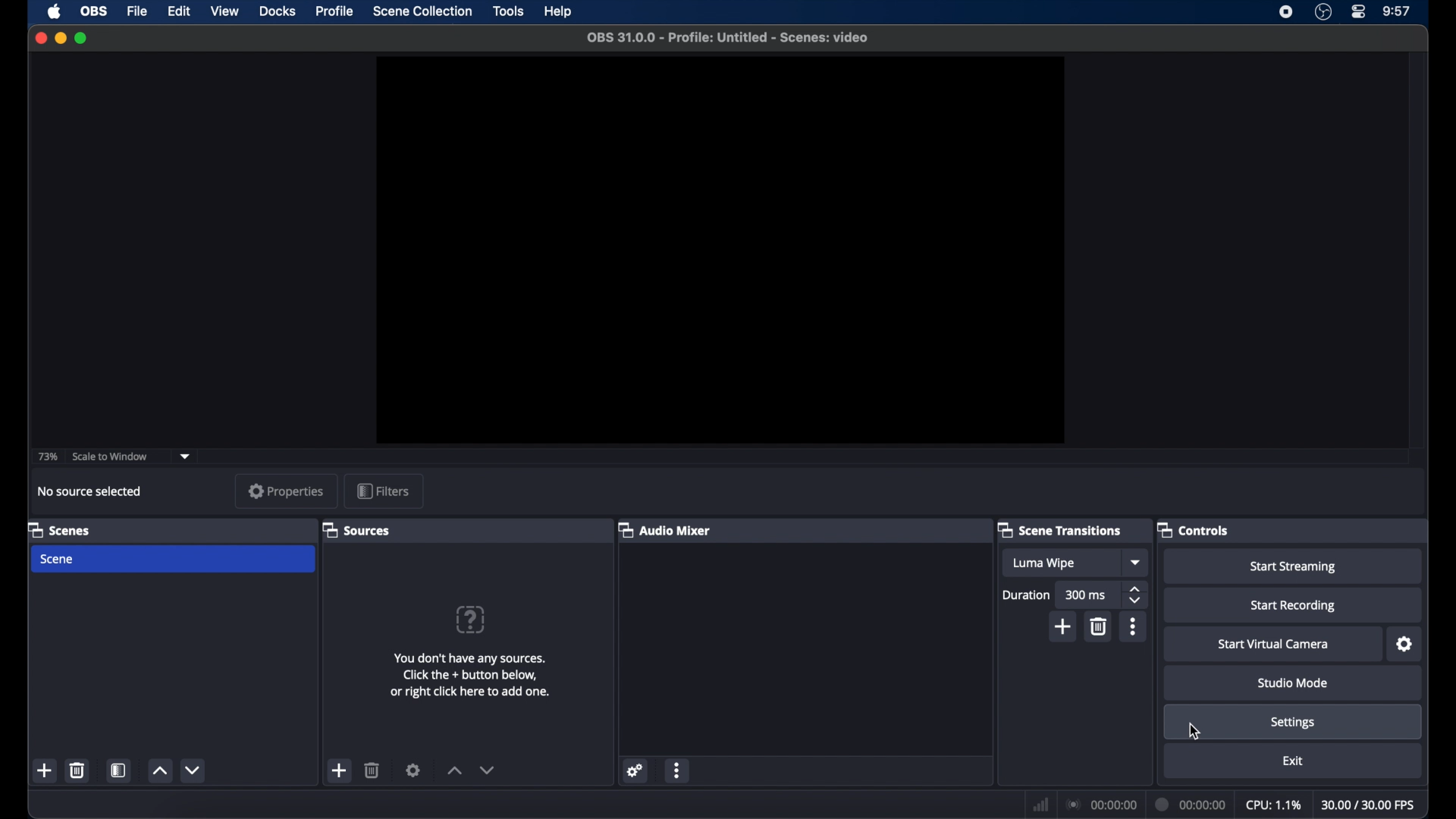  What do you see at coordinates (93, 11) in the screenshot?
I see `obs` at bounding box center [93, 11].